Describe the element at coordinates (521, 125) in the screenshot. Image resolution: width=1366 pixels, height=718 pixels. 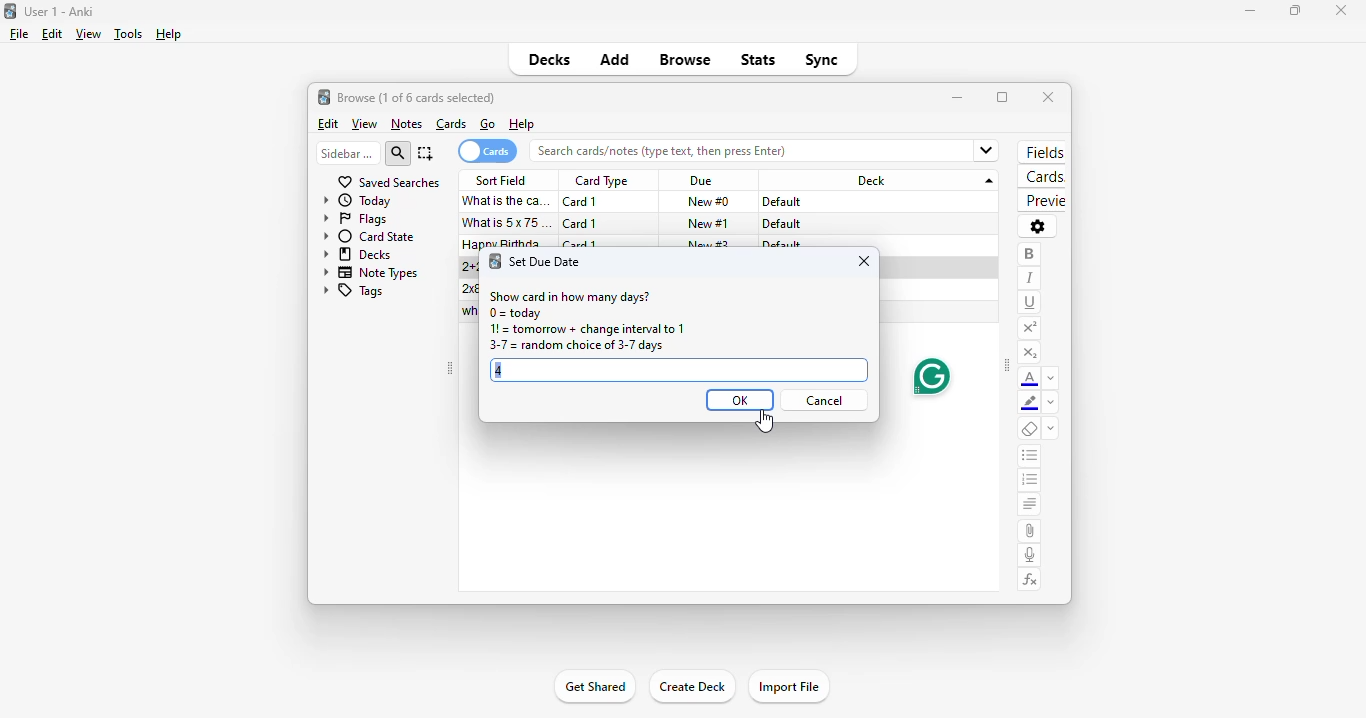
I see `help` at that location.